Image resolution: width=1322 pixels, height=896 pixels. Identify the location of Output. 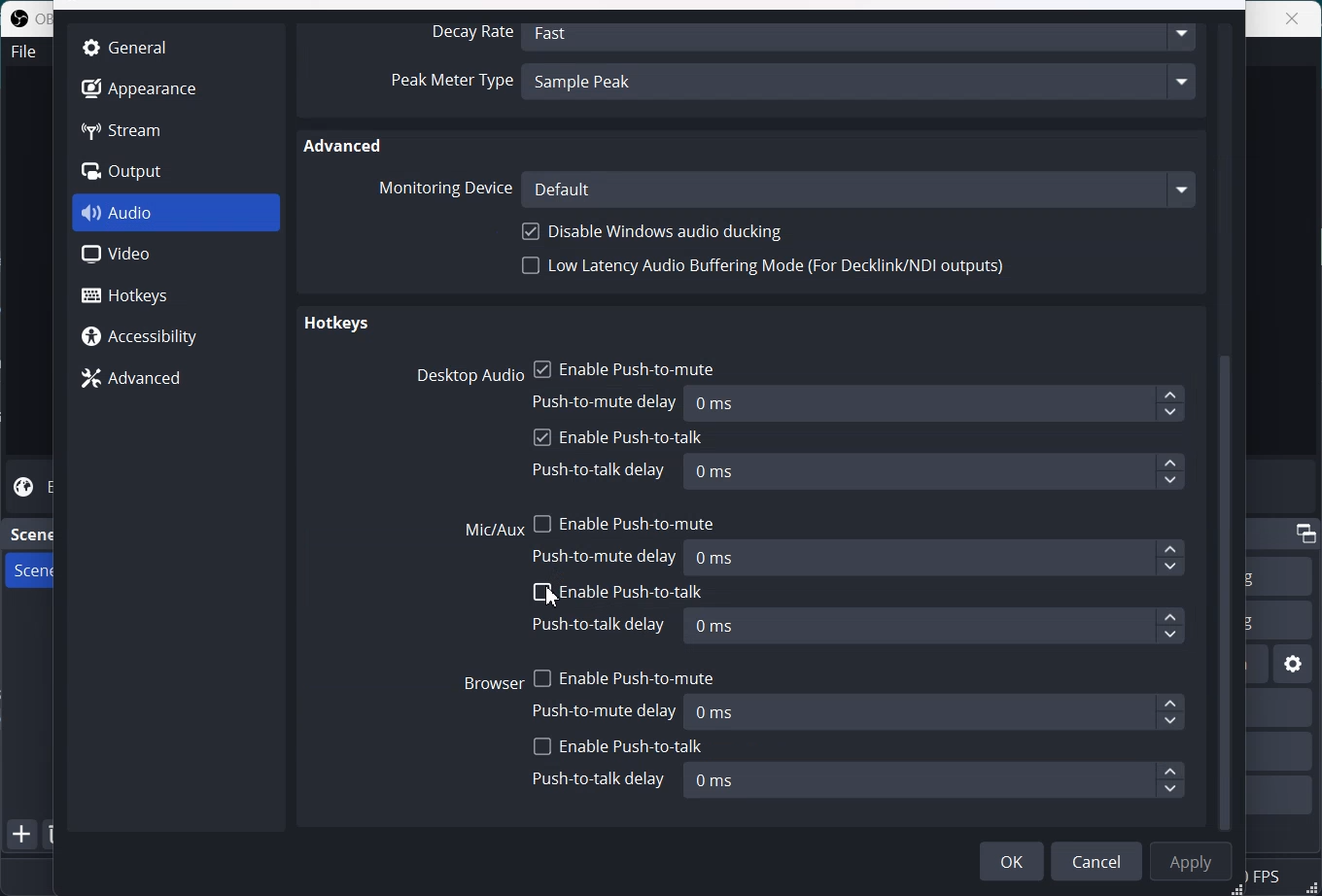
(138, 172).